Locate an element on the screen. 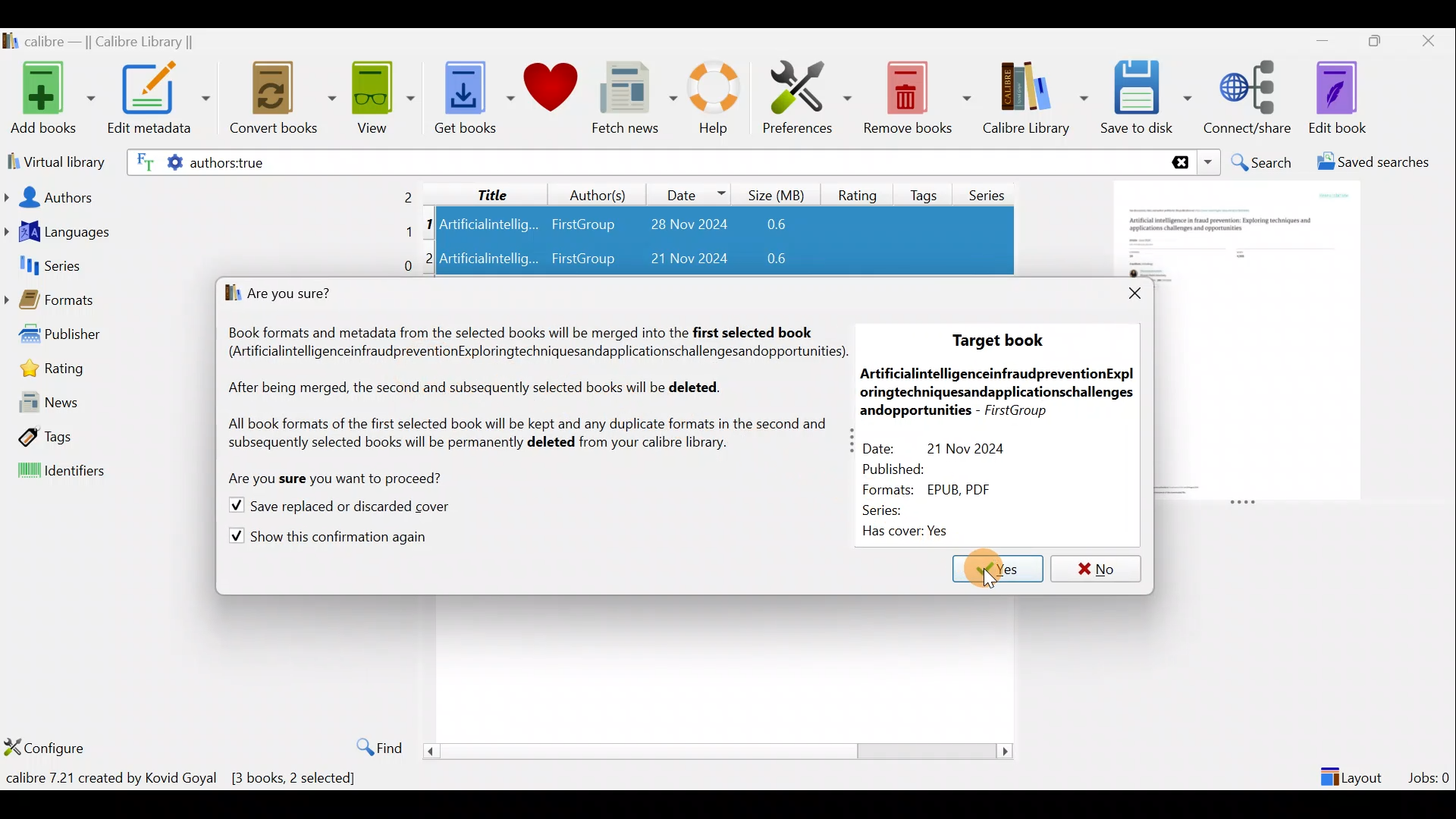 Image resolution: width=1456 pixels, height=819 pixels. Target book is located at coordinates (1001, 342).